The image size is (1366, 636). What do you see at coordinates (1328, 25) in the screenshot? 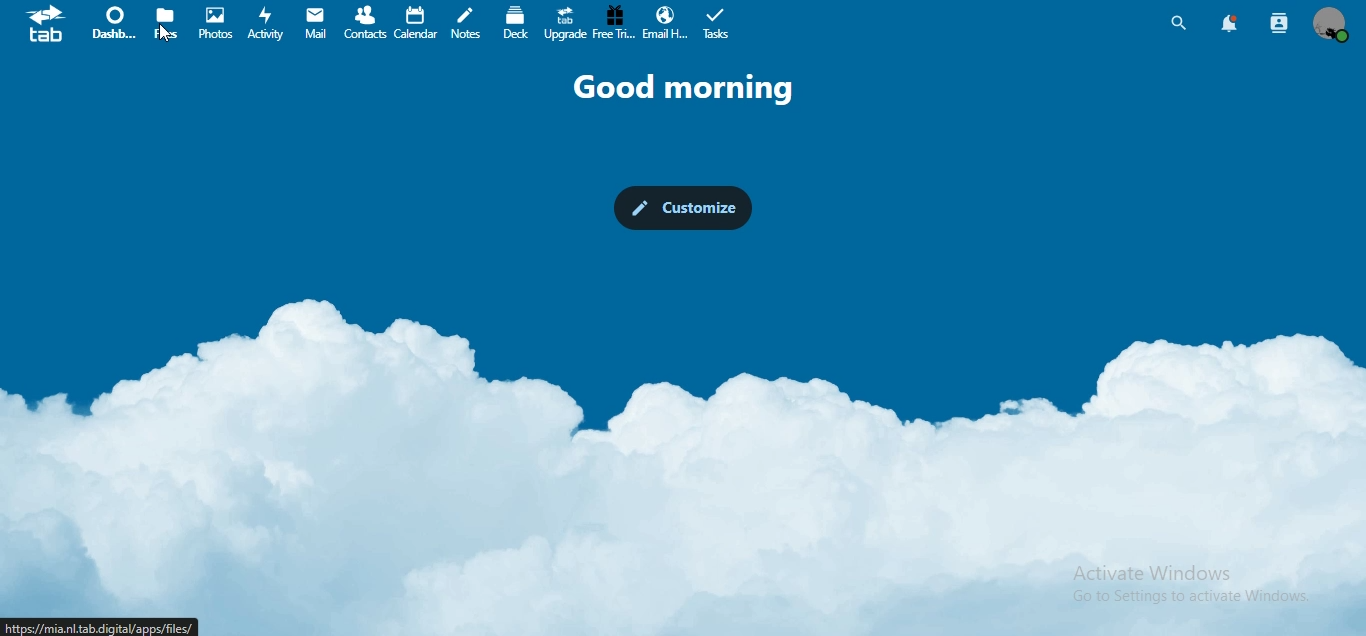
I see `view profile` at bounding box center [1328, 25].